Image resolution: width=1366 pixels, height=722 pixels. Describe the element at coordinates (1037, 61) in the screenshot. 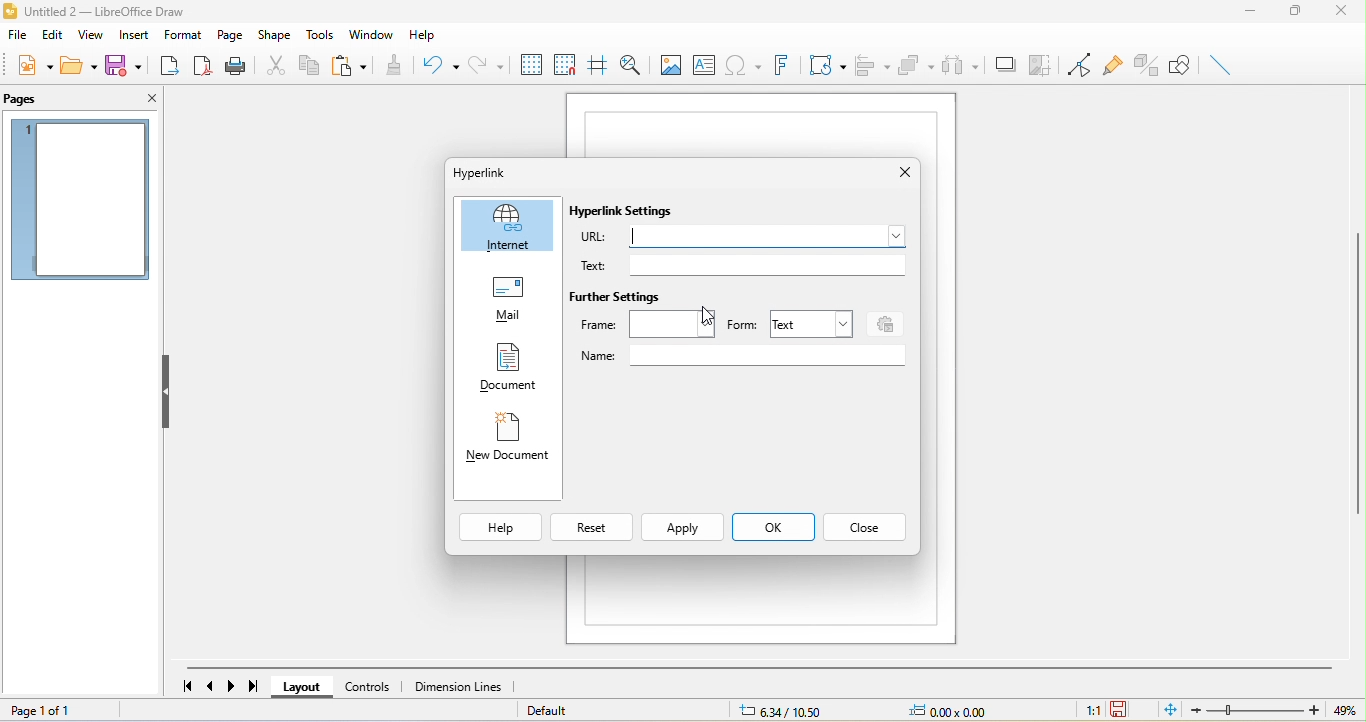

I see `crop image` at that location.